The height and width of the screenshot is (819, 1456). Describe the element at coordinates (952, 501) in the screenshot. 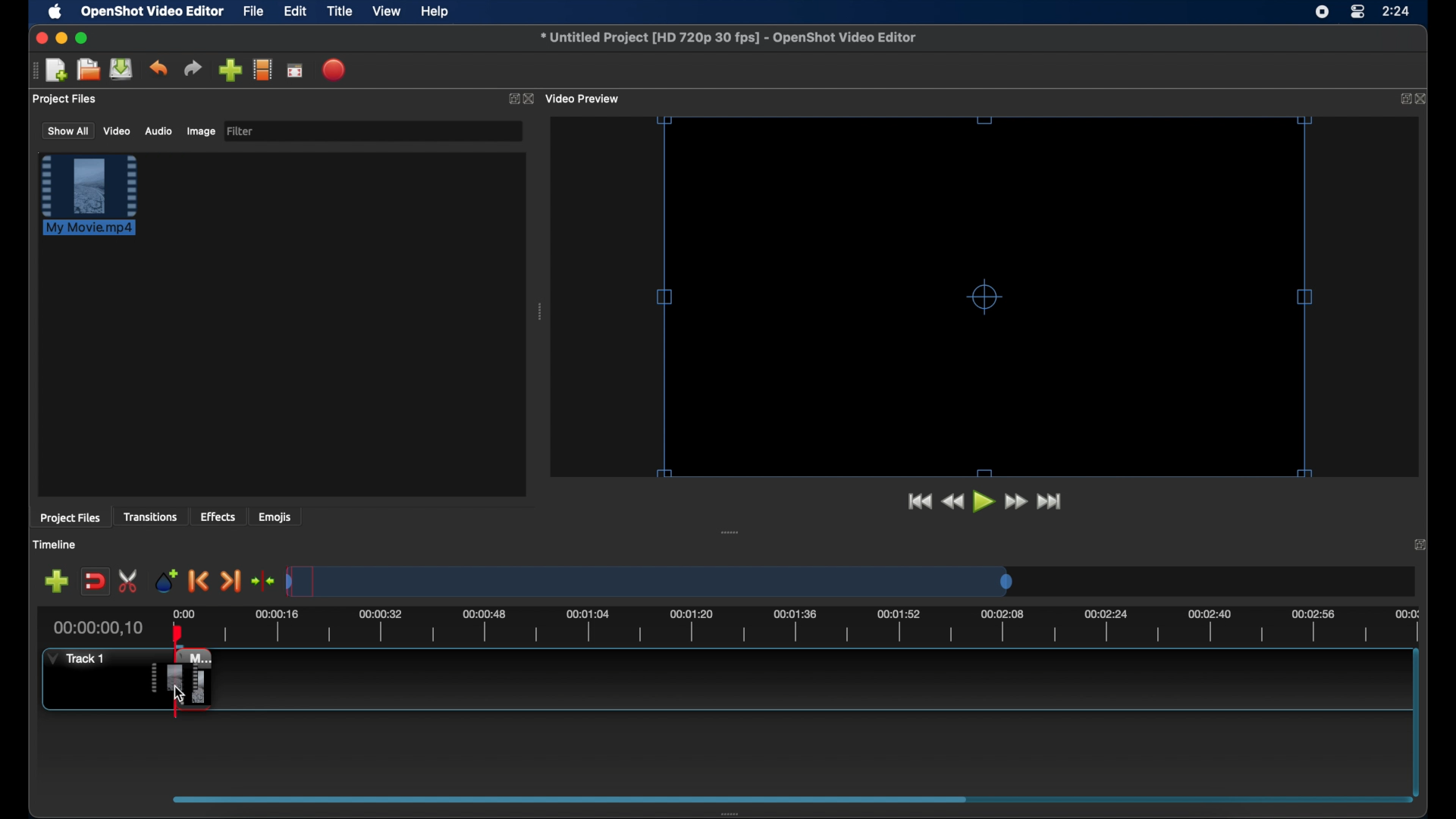

I see `rewind` at that location.